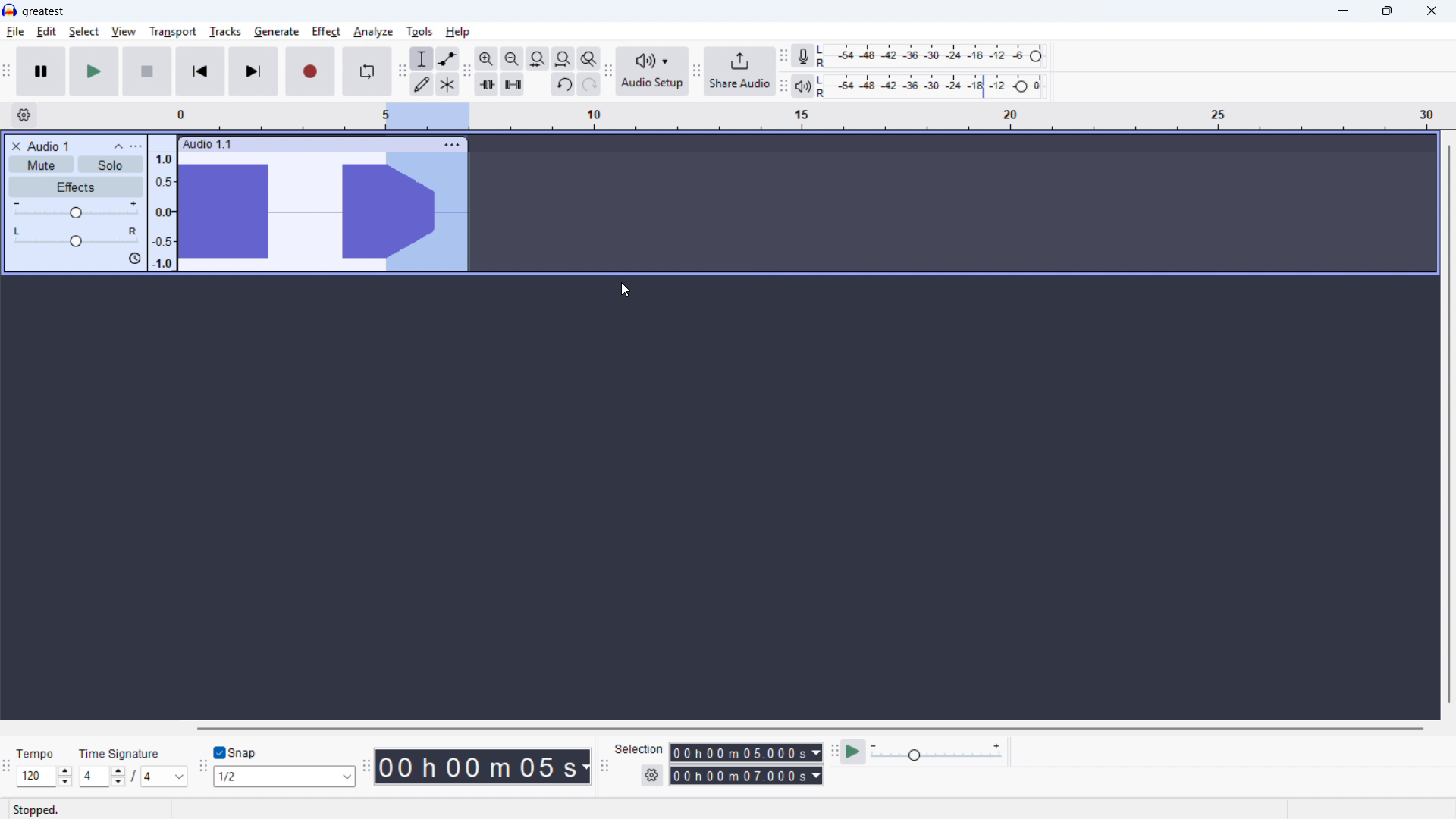 The height and width of the screenshot is (819, 1456). What do you see at coordinates (46, 32) in the screenshot?
I see `edit` at bounding box center [46, 32].